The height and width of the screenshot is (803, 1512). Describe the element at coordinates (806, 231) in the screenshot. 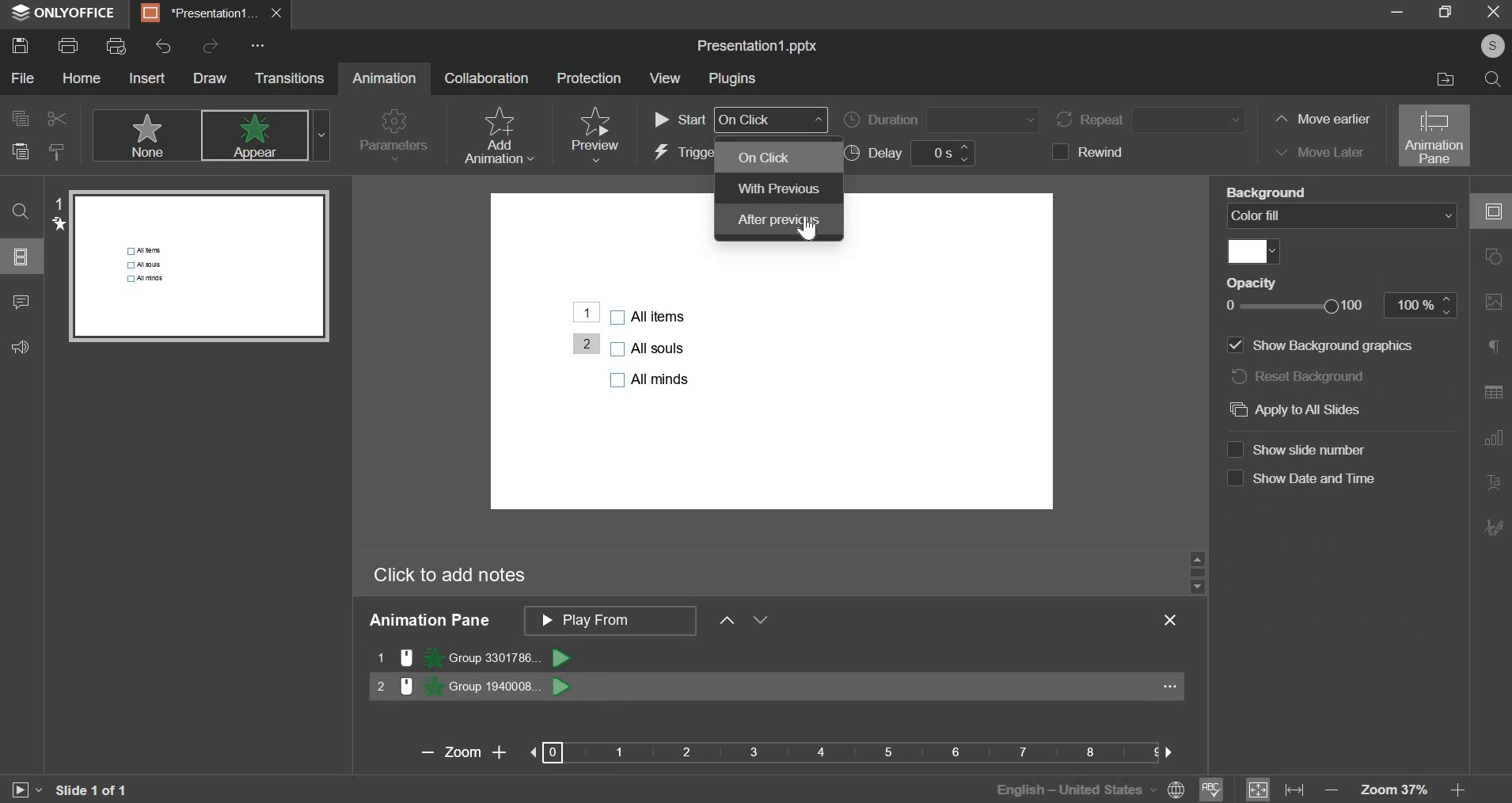

I see `cursor` at that location.